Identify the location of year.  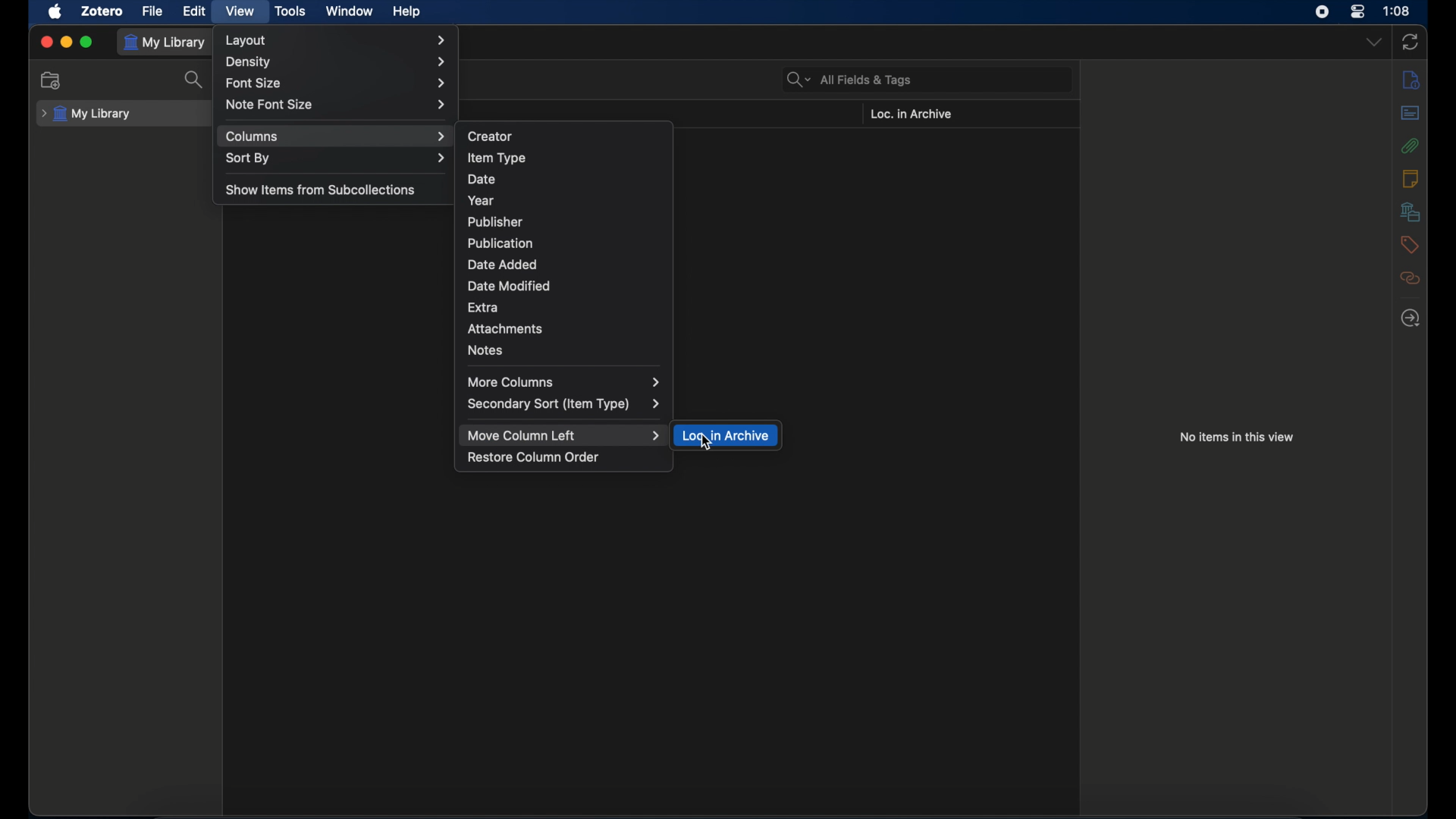
(481, 200).